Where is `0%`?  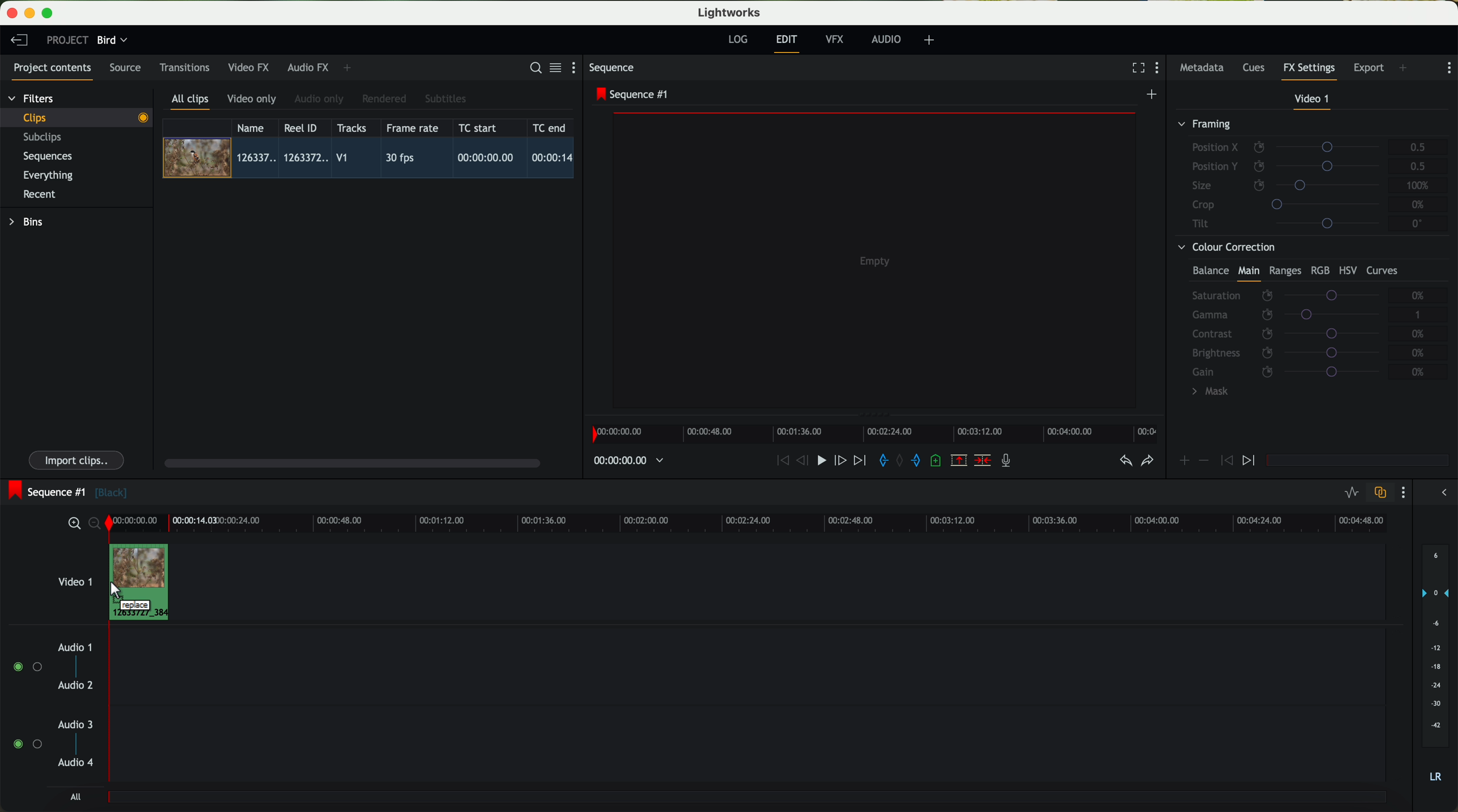
0% is located at coordinates (1418, 351).